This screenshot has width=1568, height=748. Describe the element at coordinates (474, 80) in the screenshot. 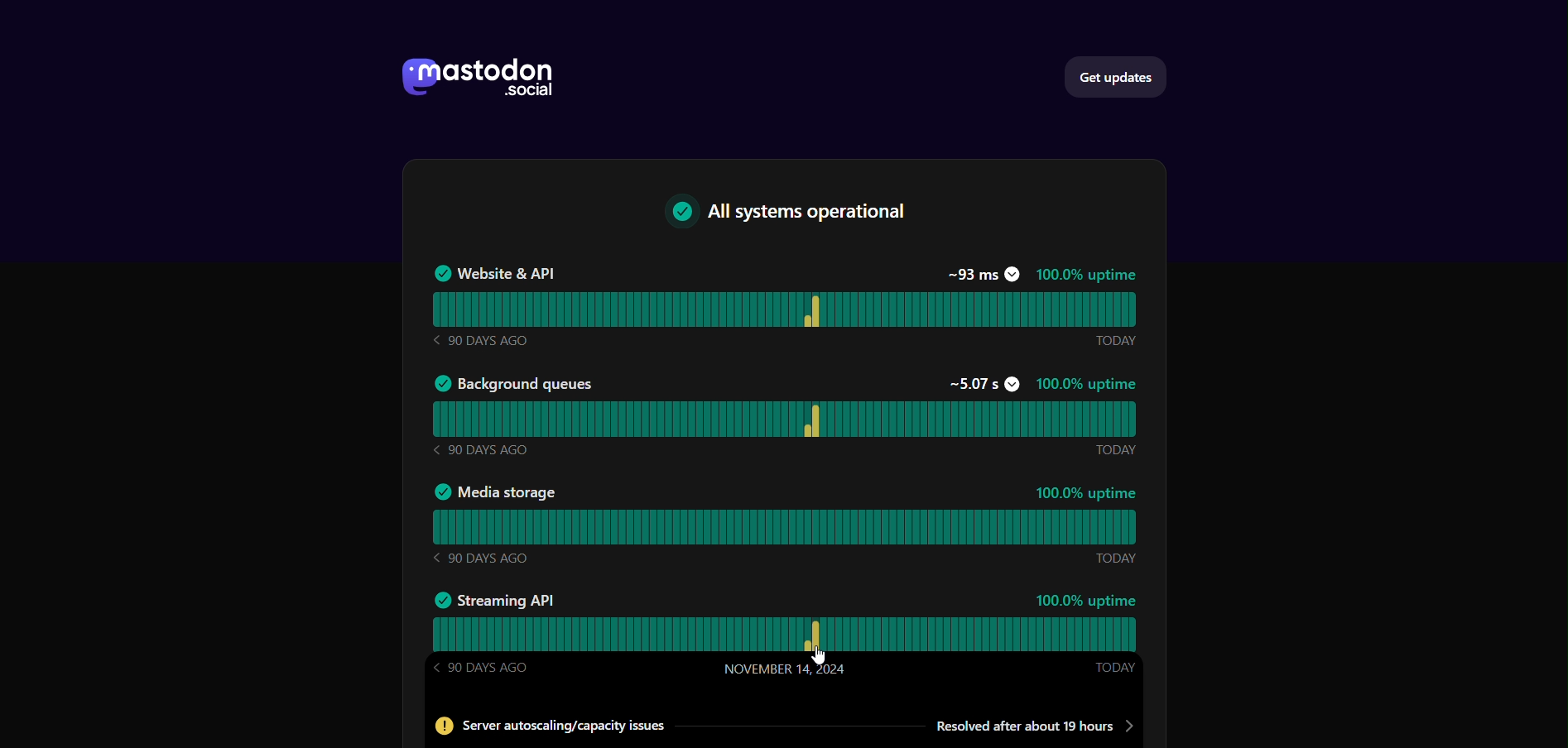

I see `logo` at that location.